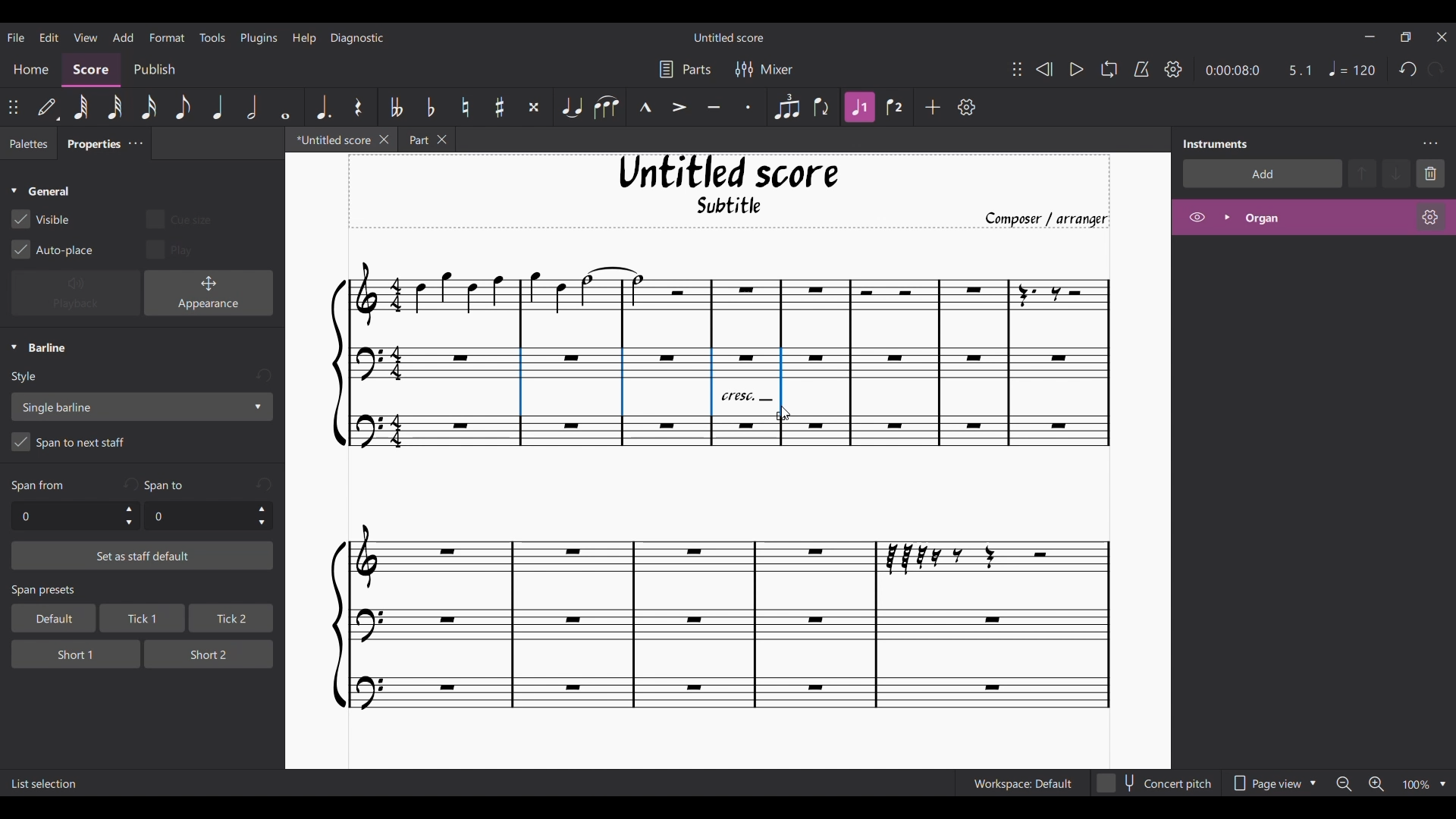  What do you see at coordinates (427, 141) in the screenshot?
I see `Earlier tab` at bounding box center [427, 141].